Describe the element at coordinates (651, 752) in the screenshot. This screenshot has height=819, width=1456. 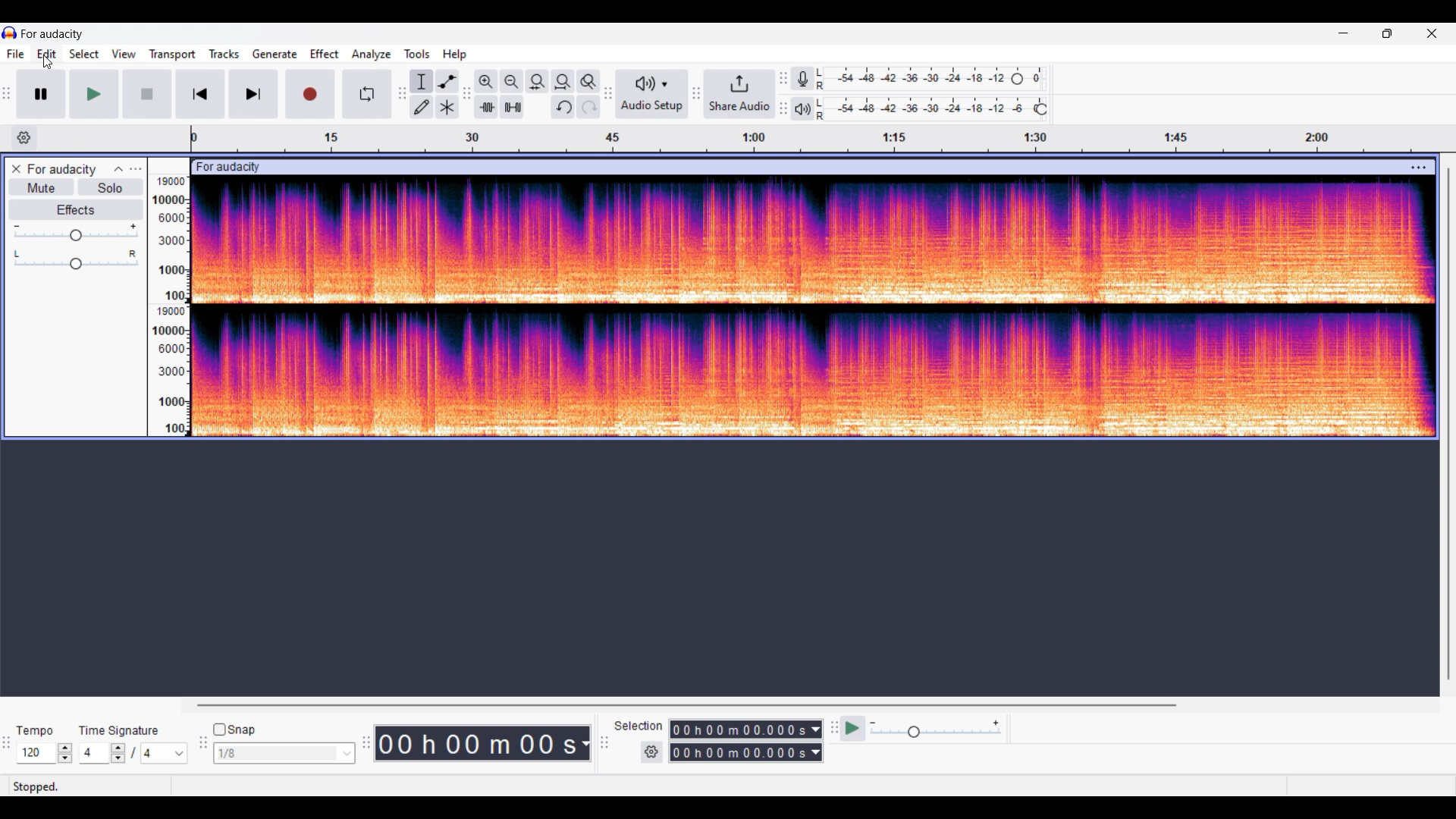
I see `Settings` at that location.